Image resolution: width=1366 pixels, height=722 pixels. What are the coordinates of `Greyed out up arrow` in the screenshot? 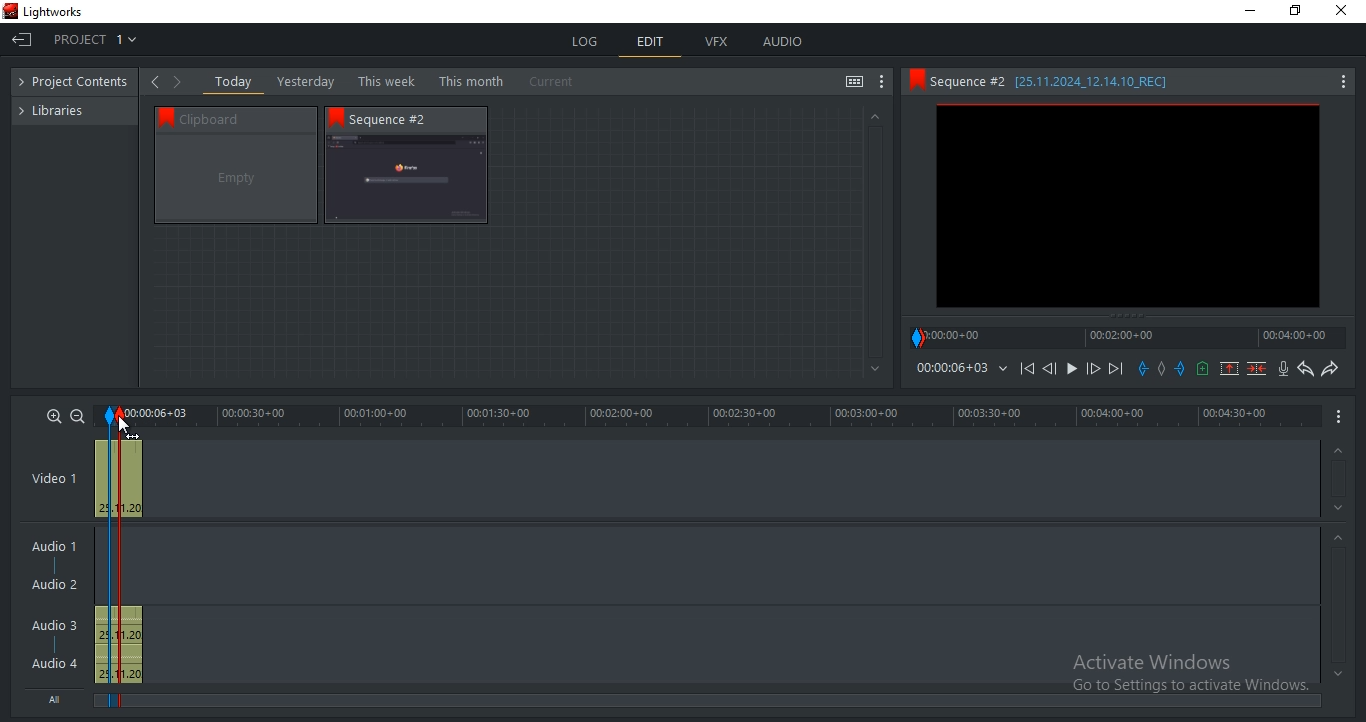 It's located at (1341, 540).